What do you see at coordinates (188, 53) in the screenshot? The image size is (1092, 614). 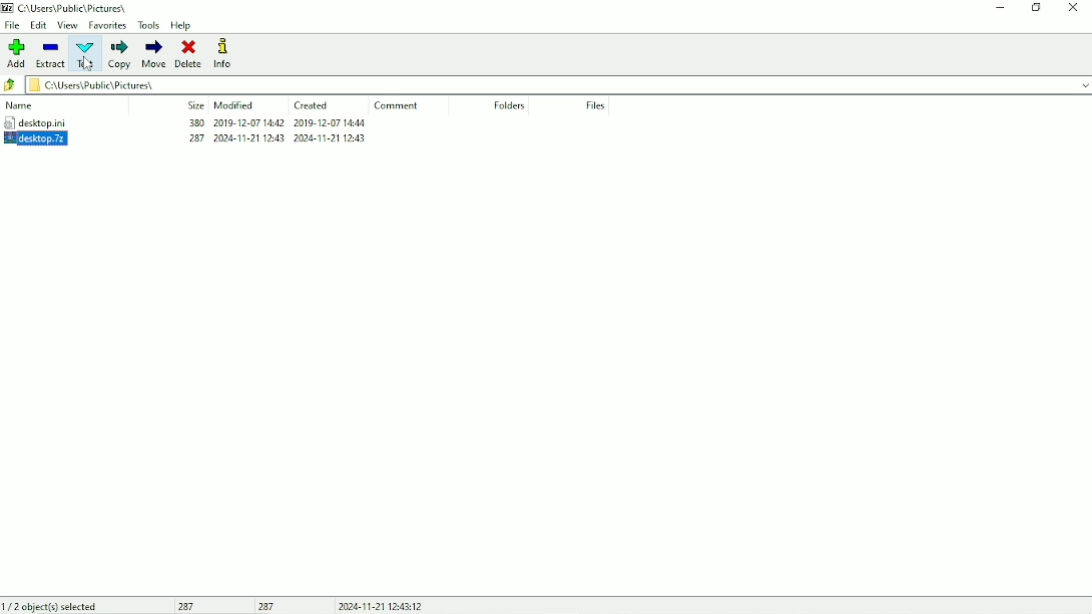 I see `Delete` at bounding box center [188, 53].